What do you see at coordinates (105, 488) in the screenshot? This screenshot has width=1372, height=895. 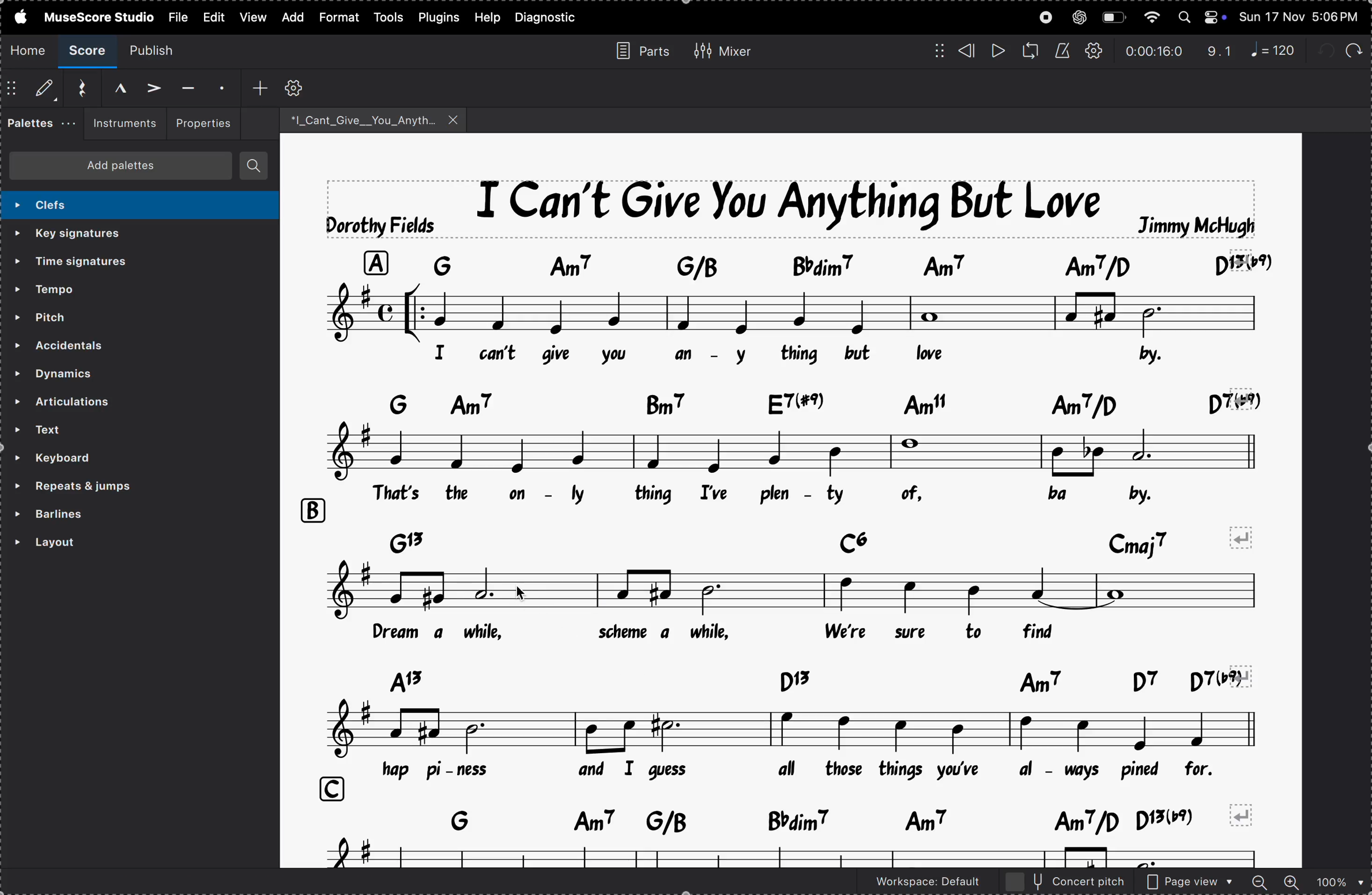 I see `repeats and jumps` at bounding box center [105, 488].